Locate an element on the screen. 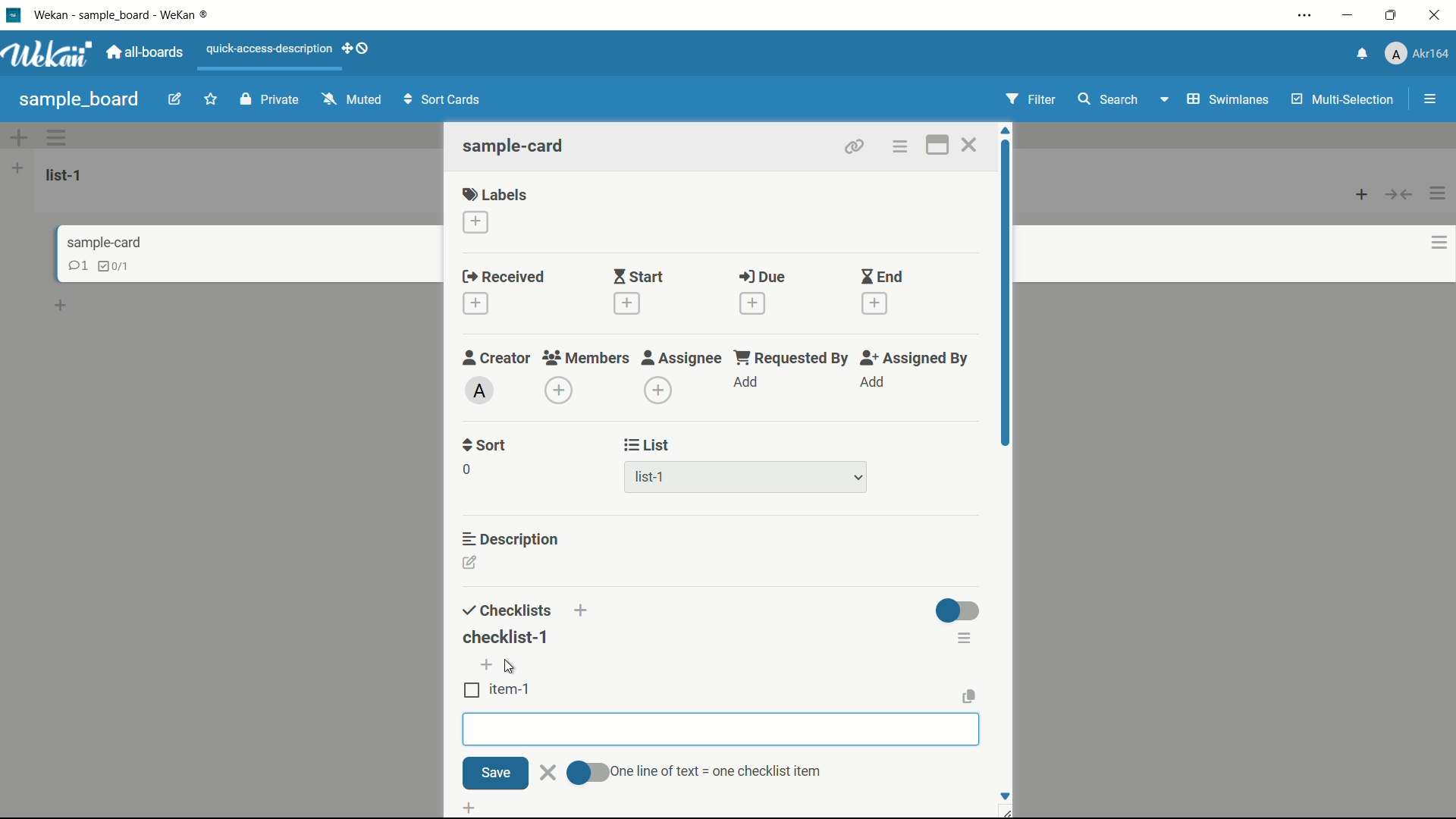 This screenshot has width=1456, height=819. options is located at coordinates (1441, 190).